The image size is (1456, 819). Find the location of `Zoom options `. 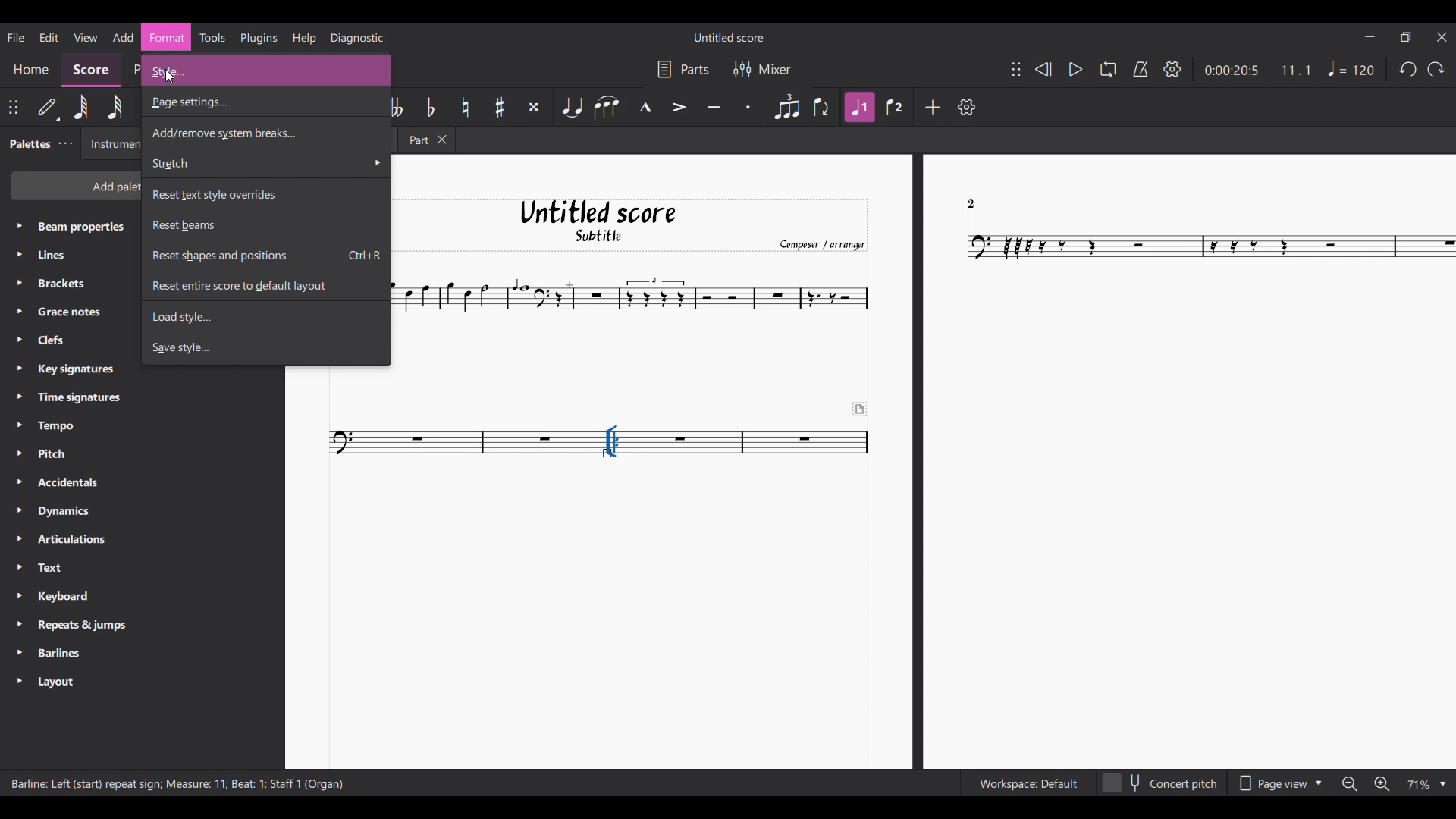

Zoom options  is located at coordinates (1426, 785).